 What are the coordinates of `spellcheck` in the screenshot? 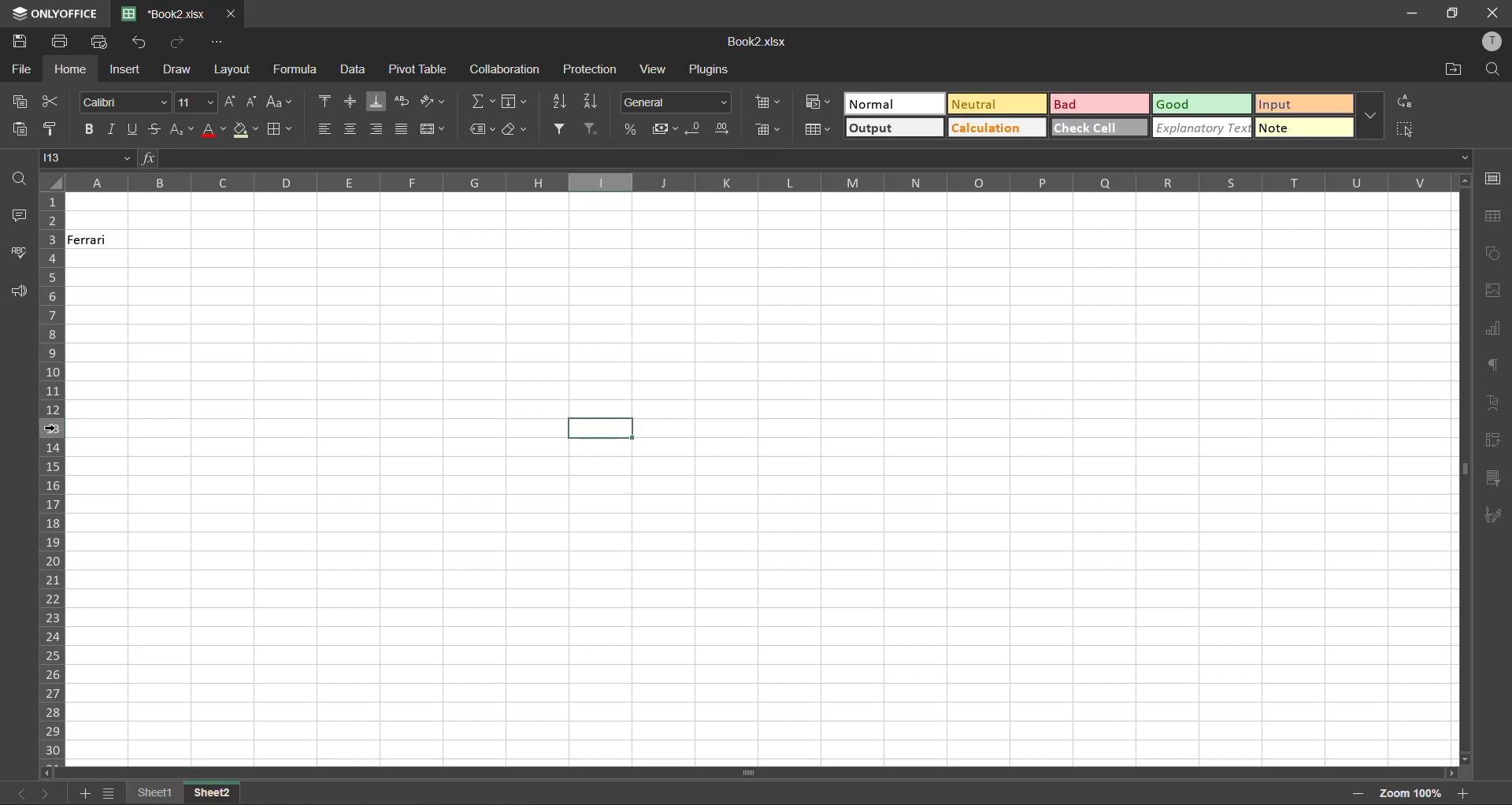 It's located at (19, 254).